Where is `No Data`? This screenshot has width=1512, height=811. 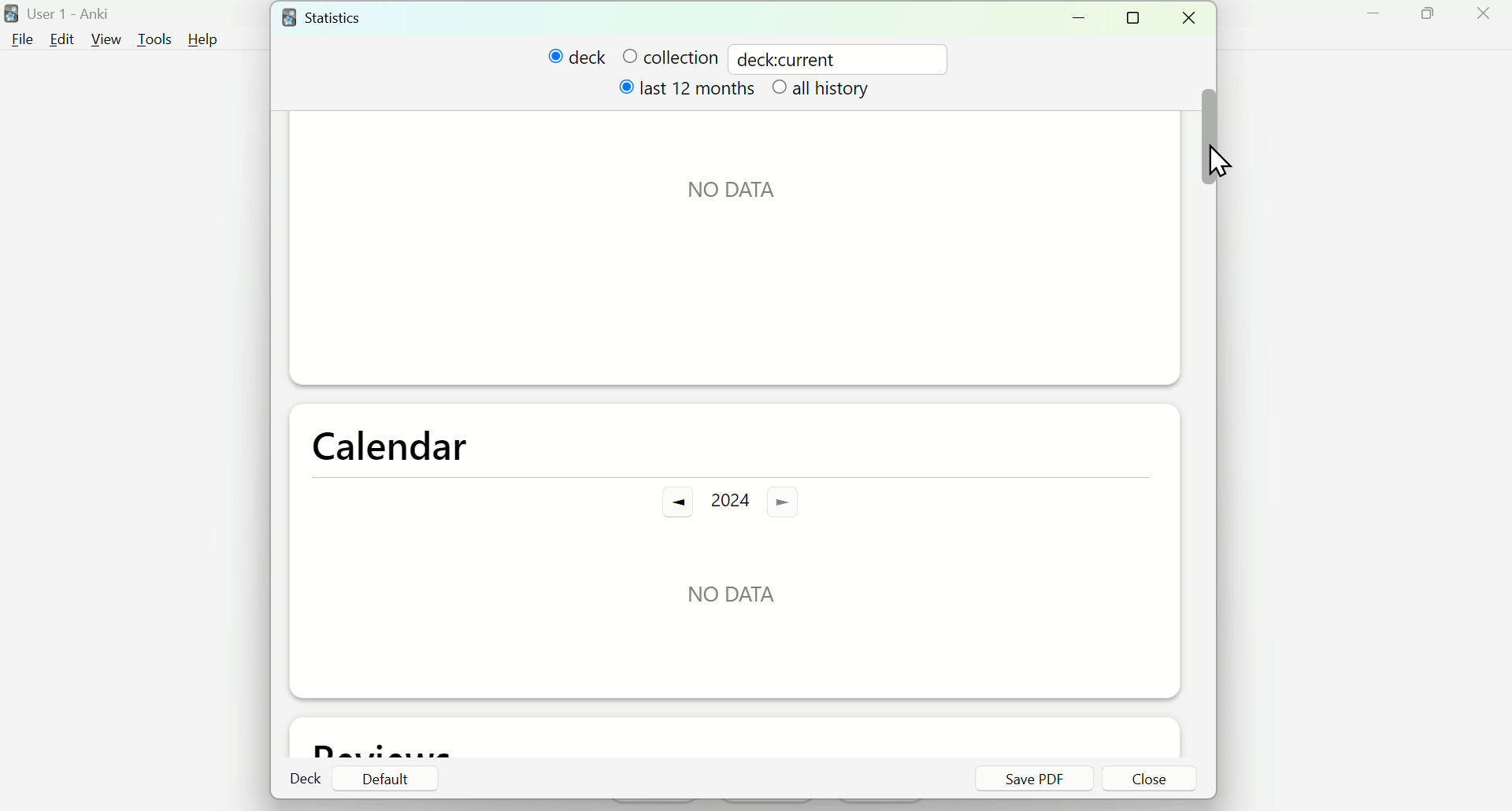
No Data is located at coordinates (734, 592).